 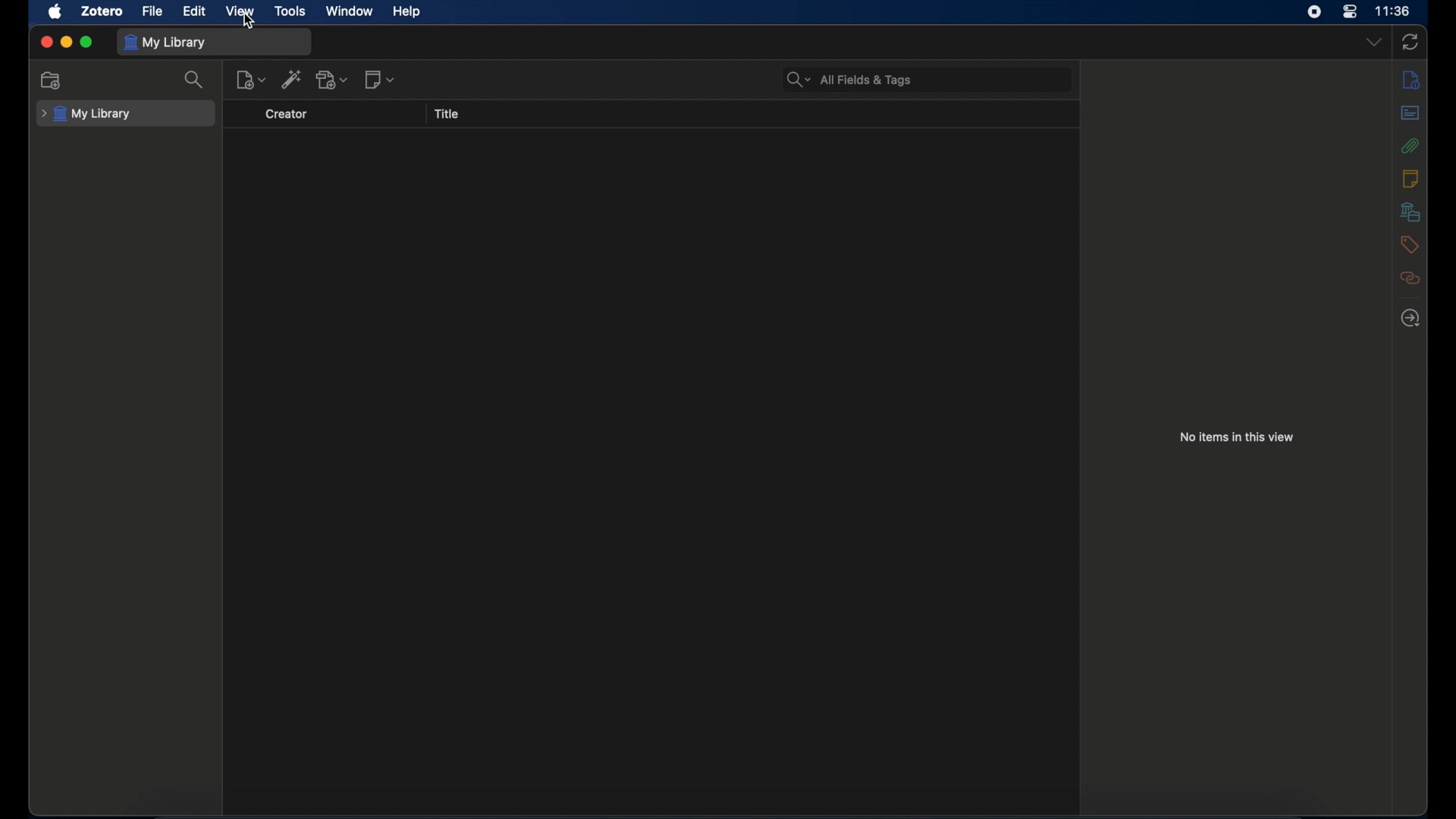 I want to click on info, so click(x=1412, y=80).